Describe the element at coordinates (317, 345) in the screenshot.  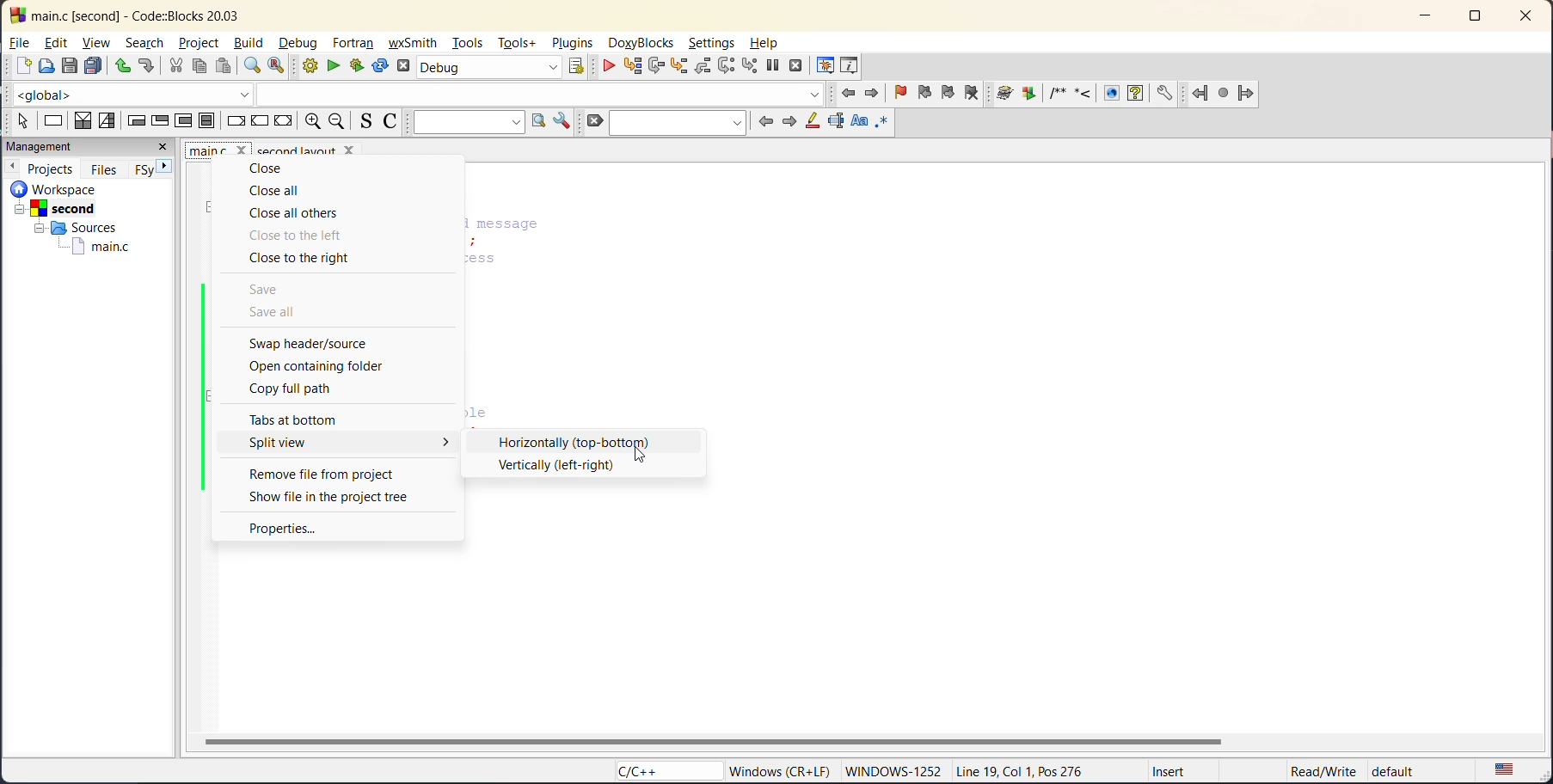
I see `swap header` at that location.